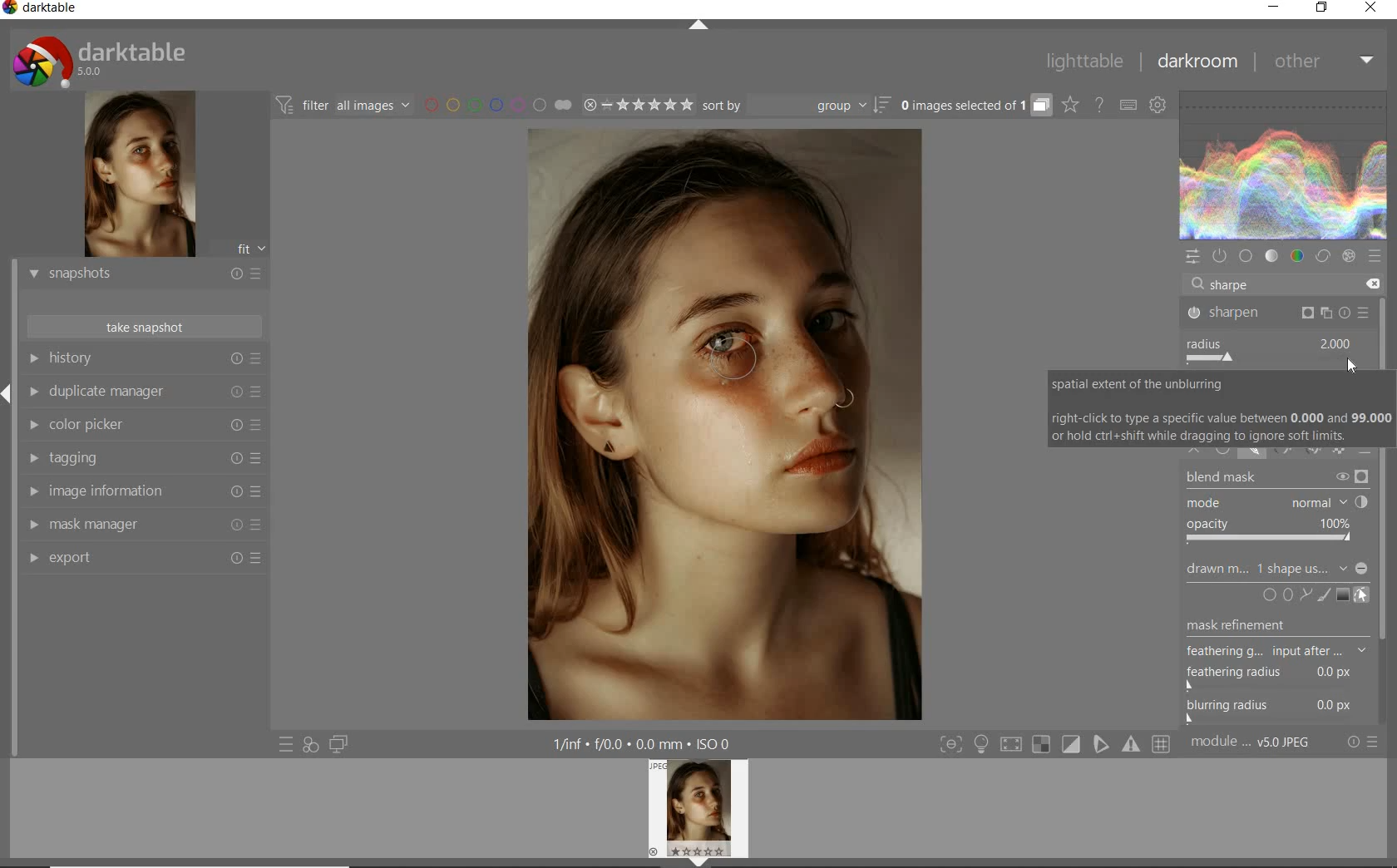 The image size is (1397, 868). Describe the element at coordinates (146, 327) in the screenshot. I see `take snapshots` at that location.